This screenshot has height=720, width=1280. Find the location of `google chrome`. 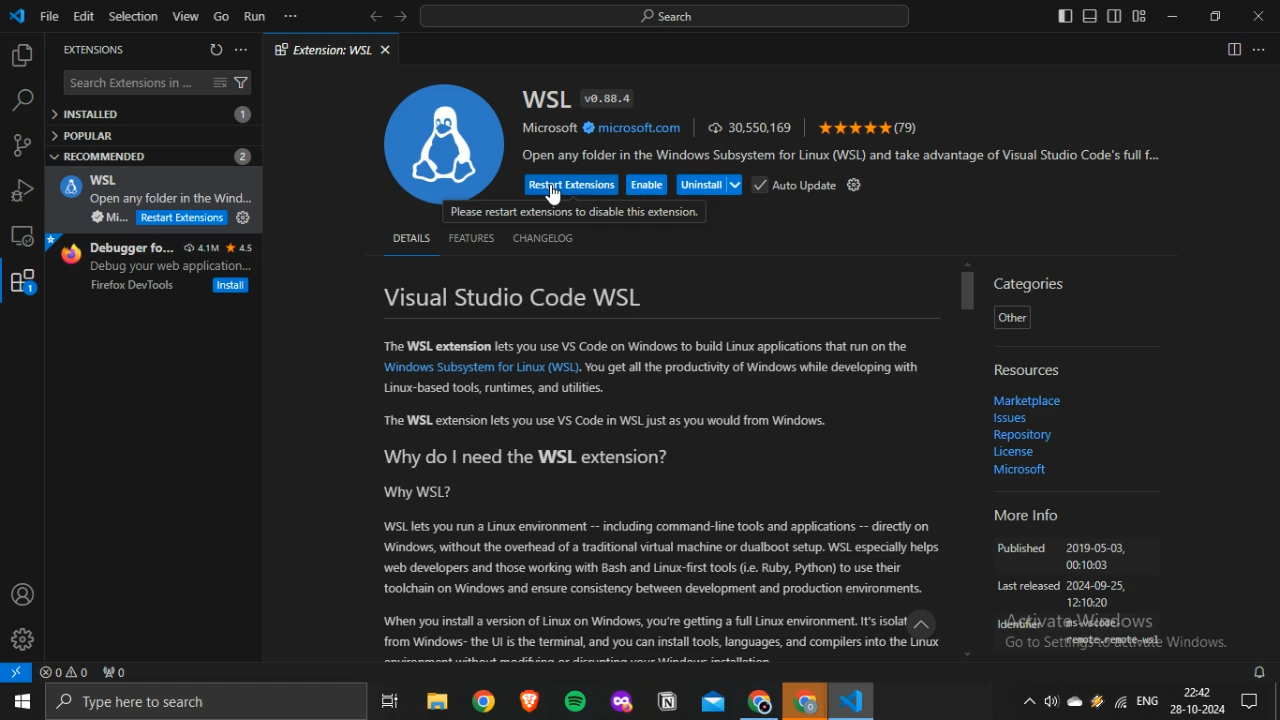

google chrome is located at coordinates (486, 700).